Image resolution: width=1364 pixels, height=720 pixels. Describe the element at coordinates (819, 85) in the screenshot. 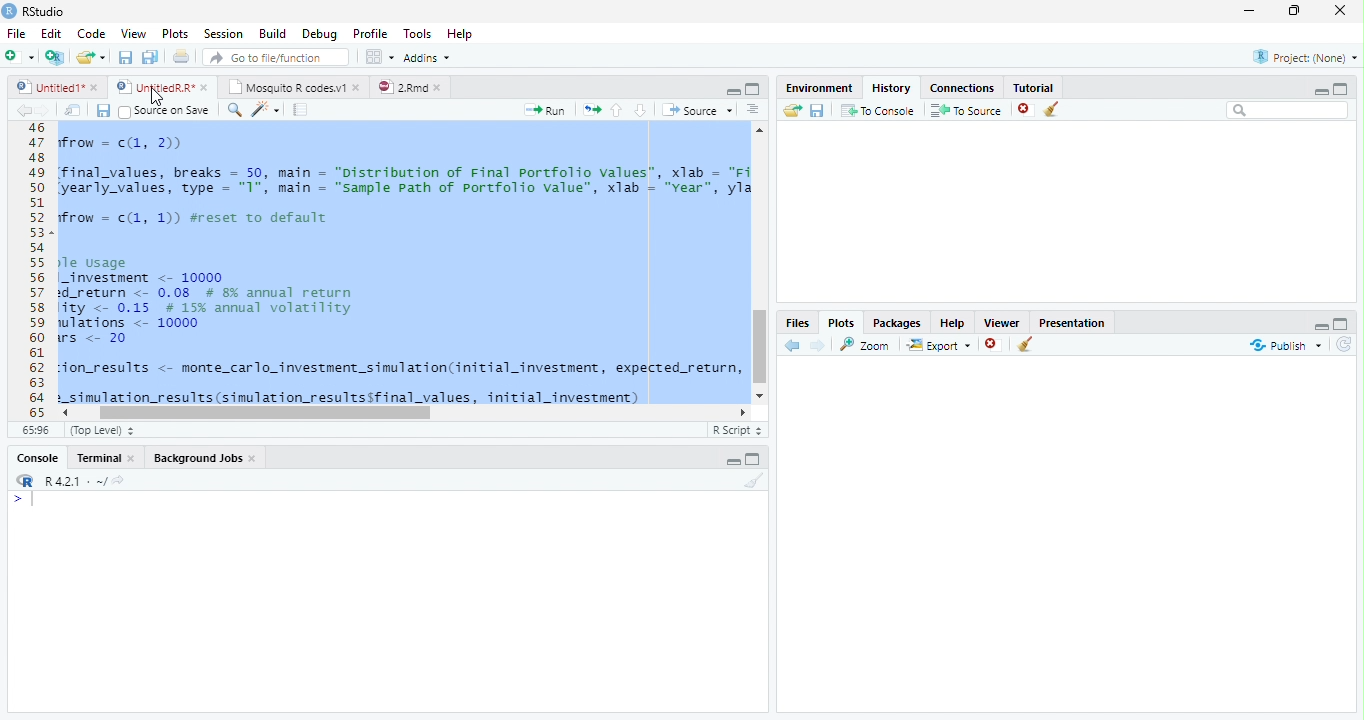

I see `Environment` at that location.